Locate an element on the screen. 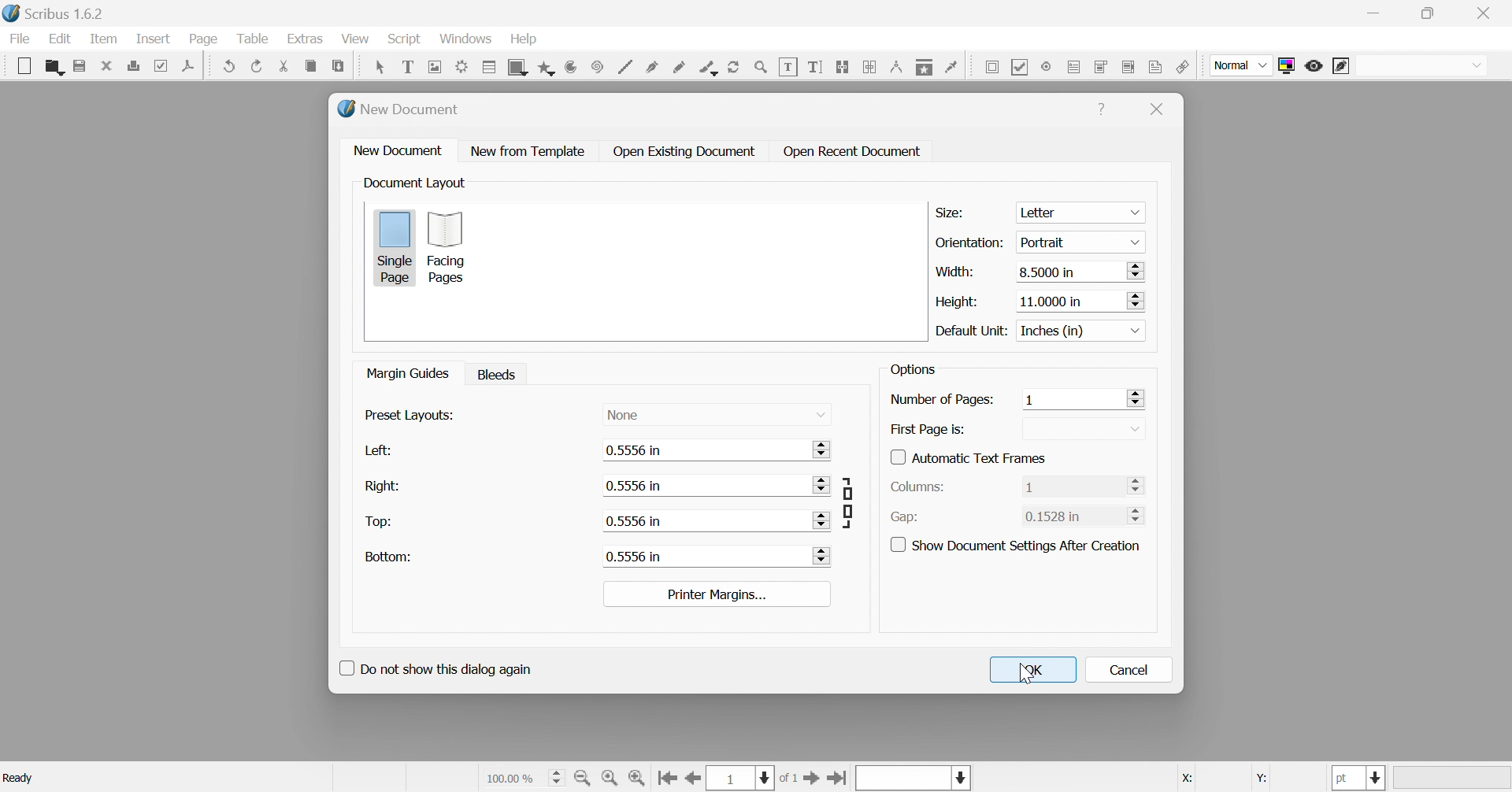 The width and height of the screenshot is (1512, 792). go to next page is located at coordinates (812, 779).